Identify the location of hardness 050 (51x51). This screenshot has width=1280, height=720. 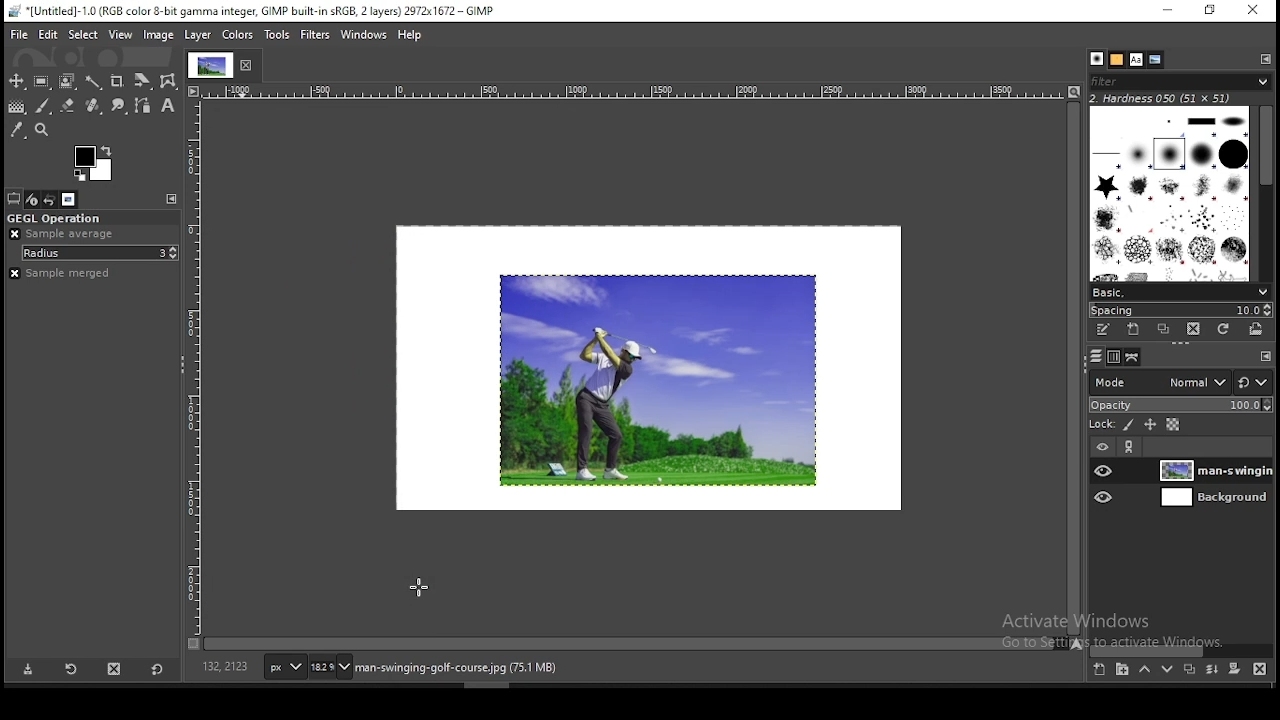
(1182, 99).